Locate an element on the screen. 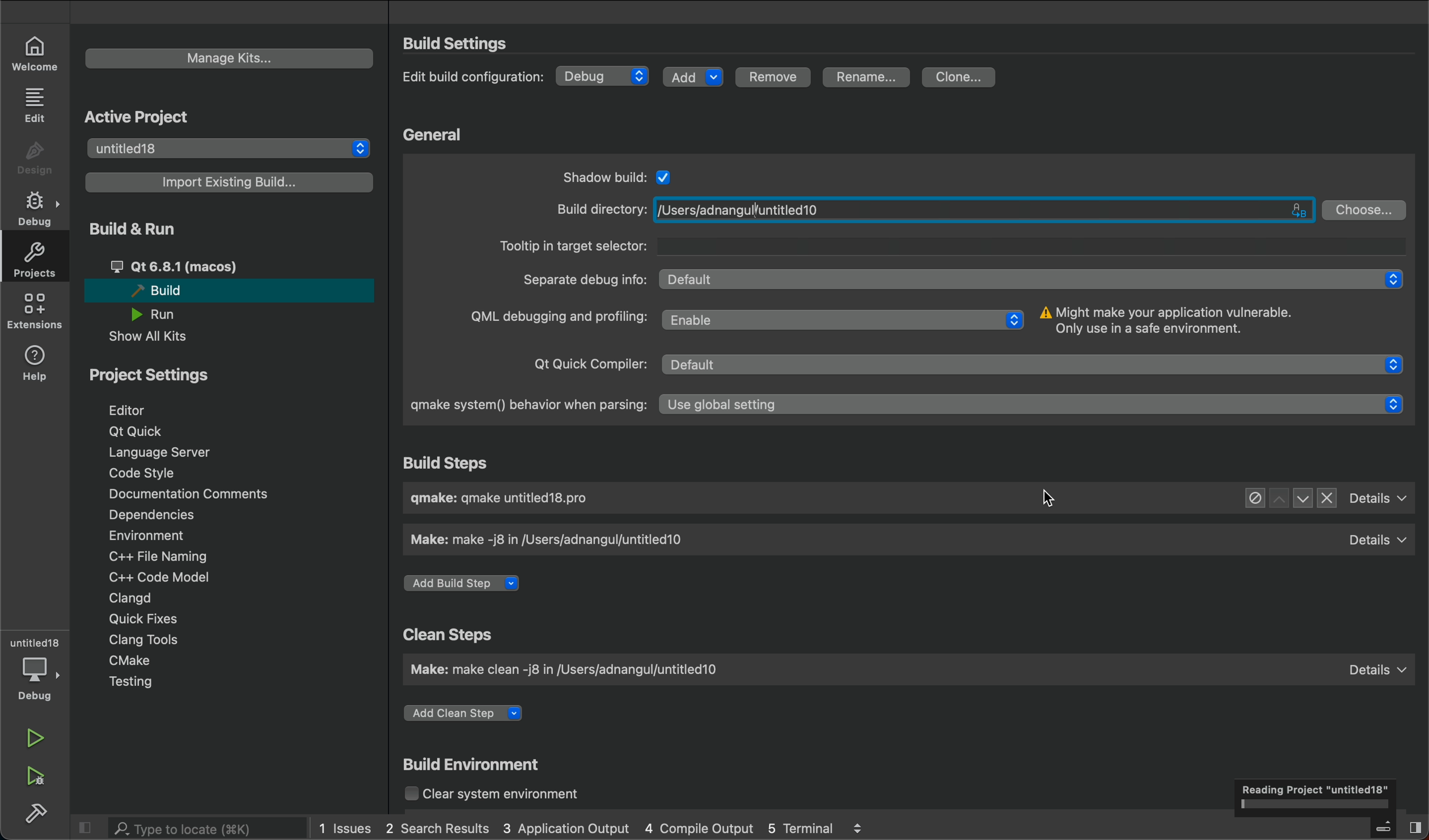 The image size is (1429, 840). close slidebar is located at coordinates (1395, 826).